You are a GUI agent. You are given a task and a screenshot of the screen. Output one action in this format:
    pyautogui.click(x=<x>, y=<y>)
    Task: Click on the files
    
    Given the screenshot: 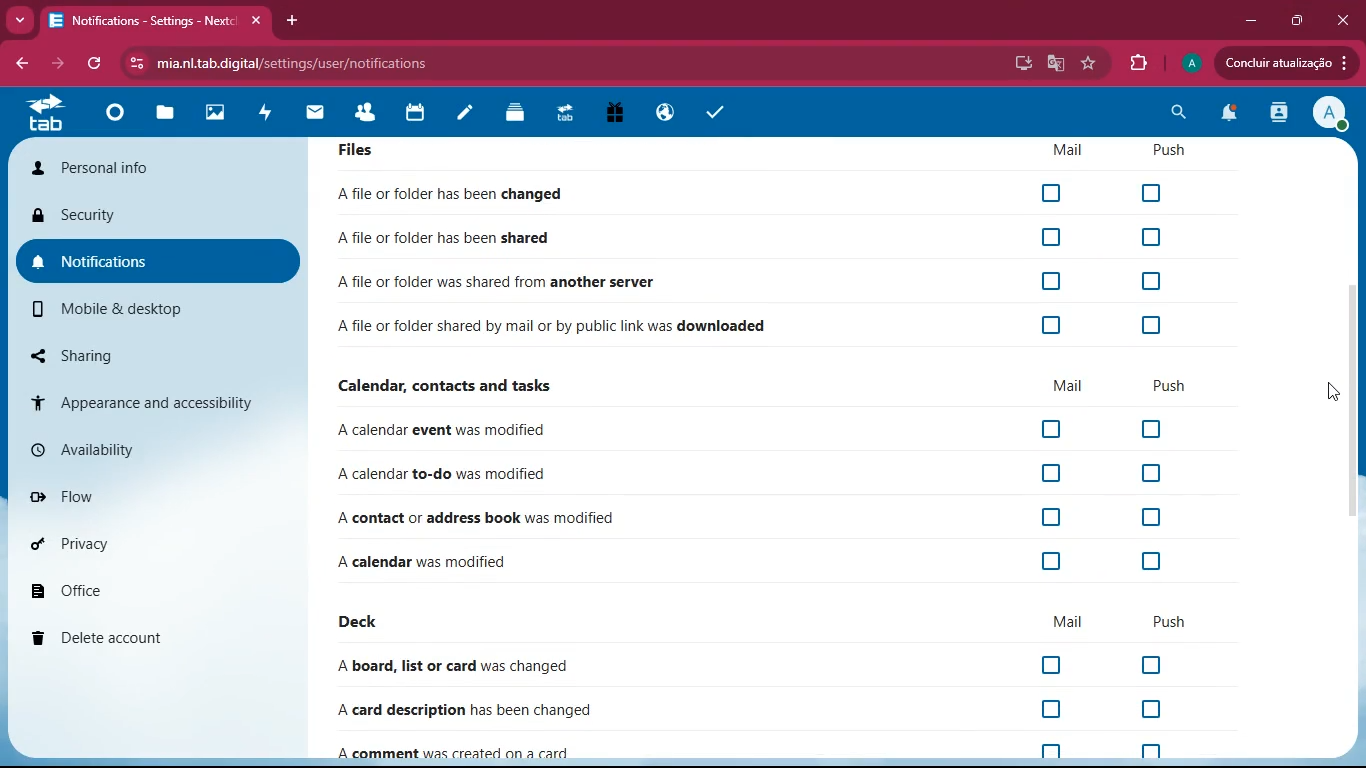 What is the action you would take?
    pyautogui.click(x=170, y=114)
    